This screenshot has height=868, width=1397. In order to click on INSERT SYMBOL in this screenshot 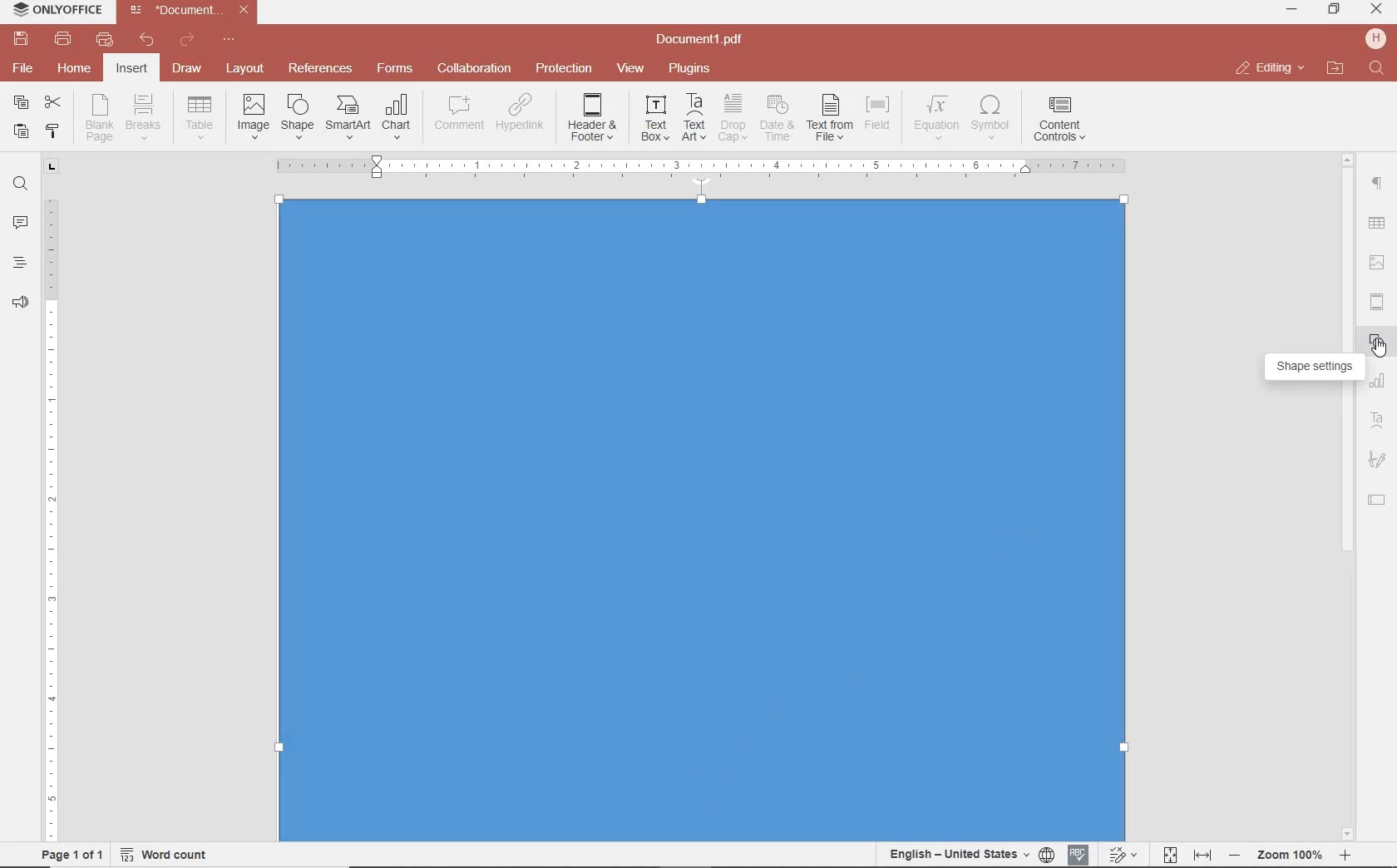, I will do `click(990, 116)`.